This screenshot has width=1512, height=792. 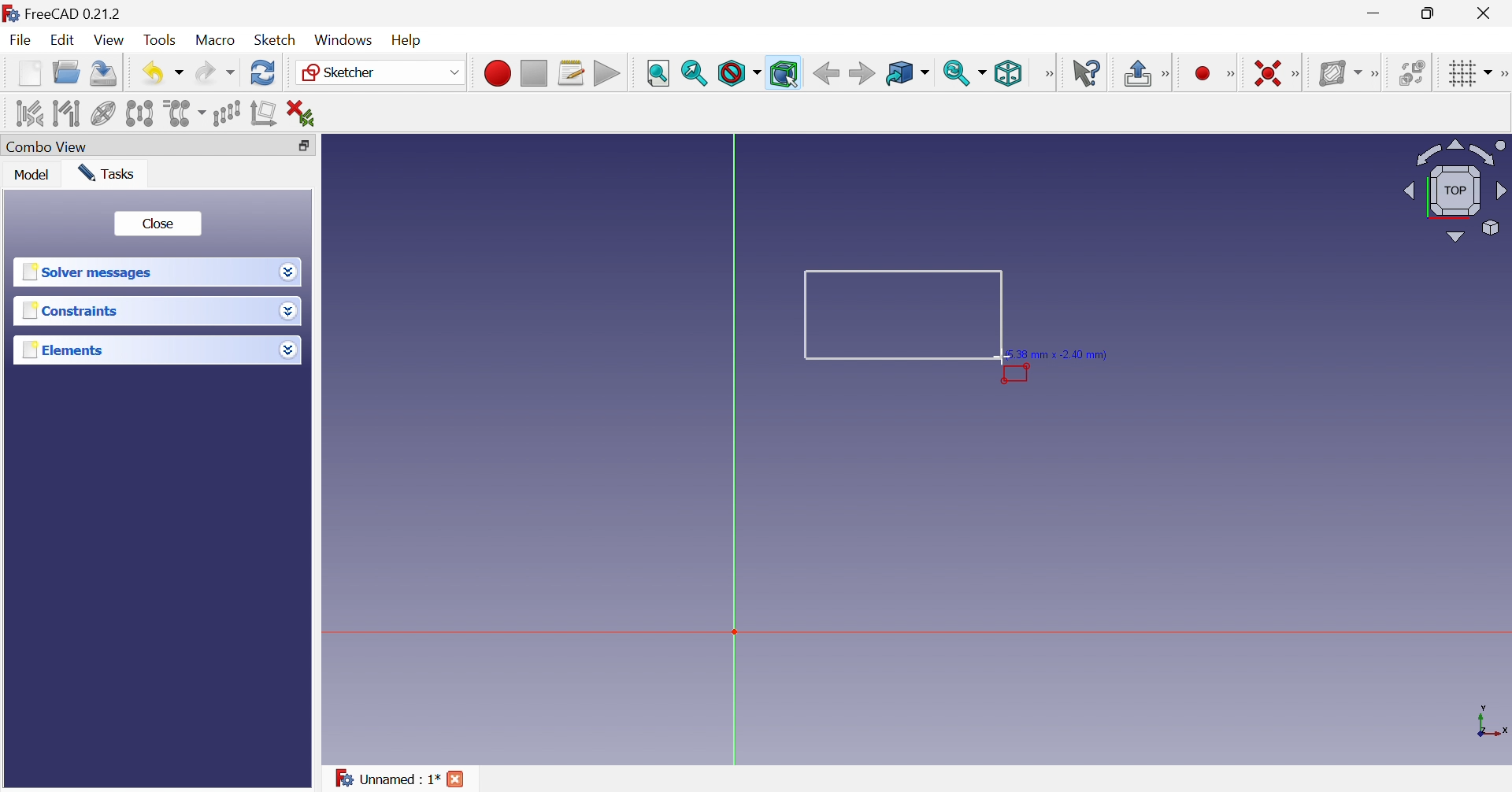 I want to click on Constrain coincident, so click(x=1267, y=72).